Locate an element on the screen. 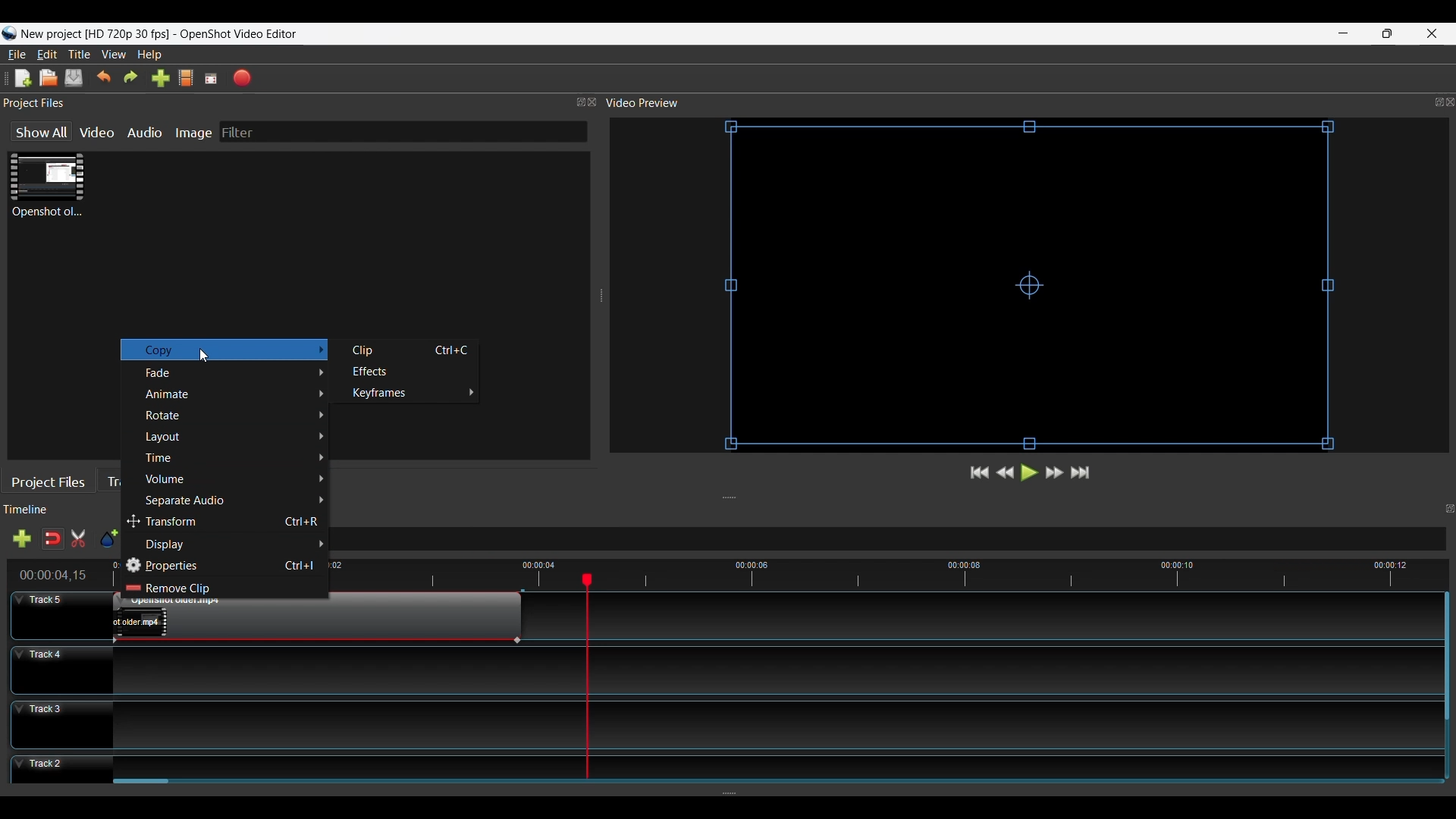  layout is located at coordinates (235, 436).